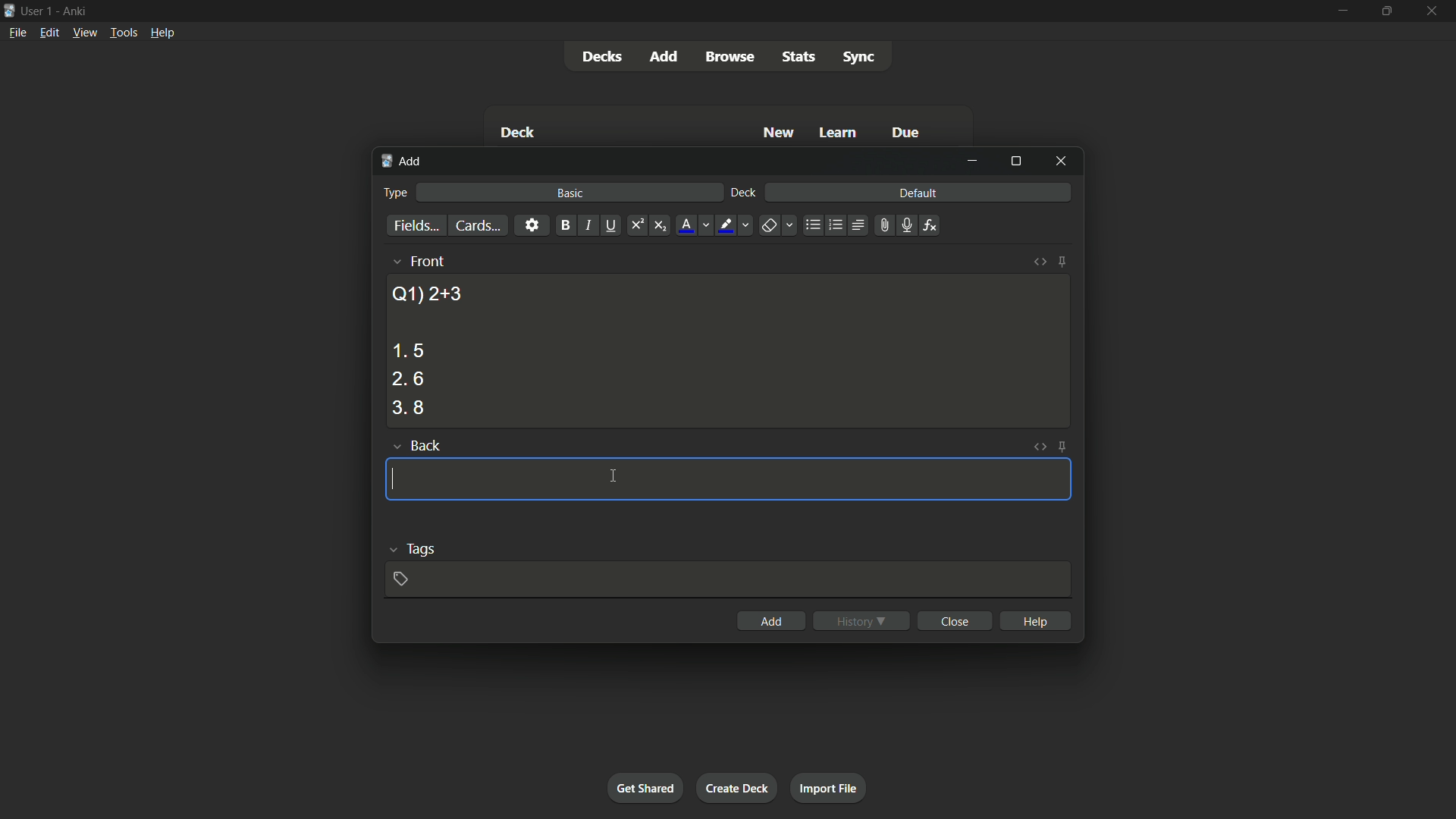 The image size is (1456, 819). Describe the element at coordinates (957, 620) in the screenshot. I see `close` at that location.